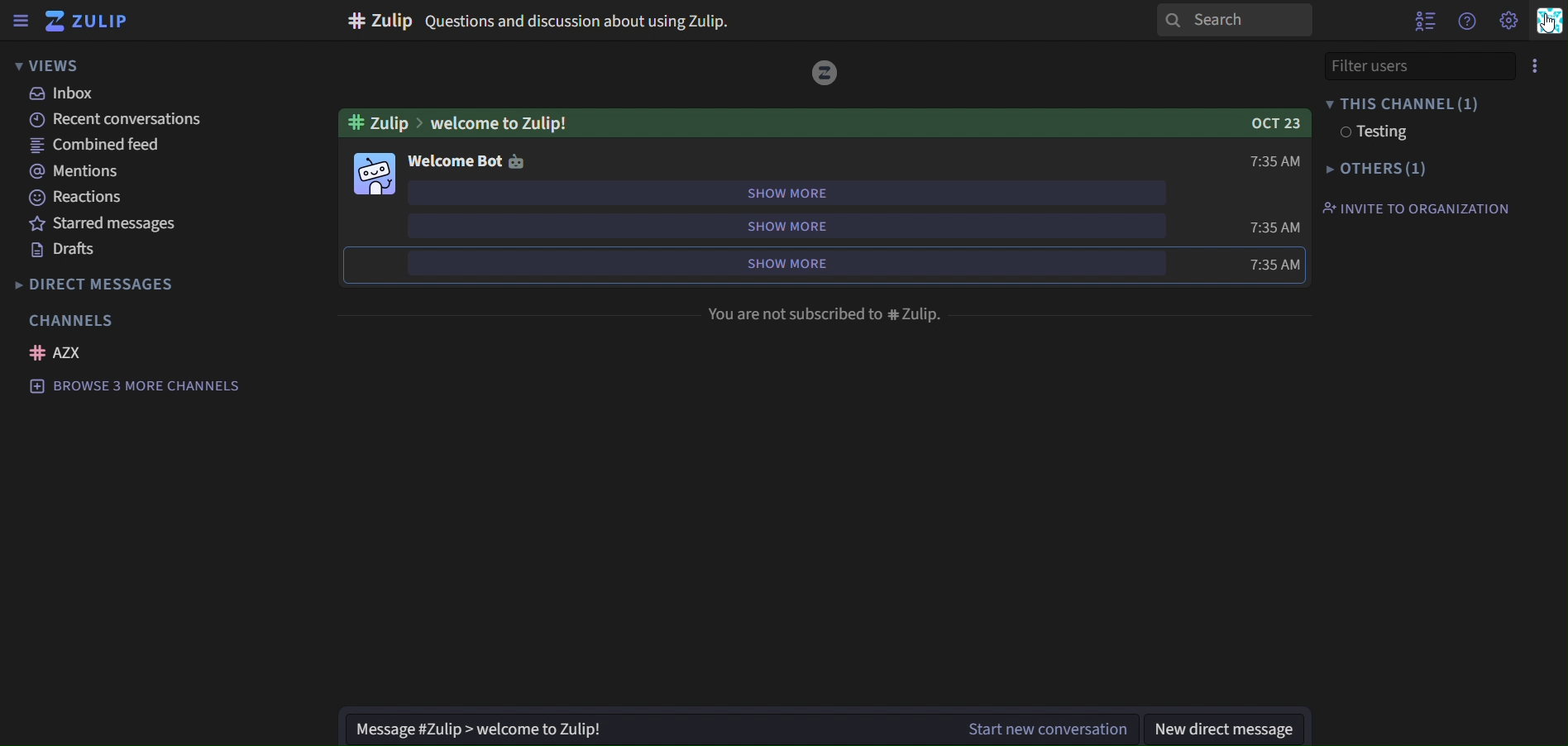  Describe the element at coordinates (489, 728) in the screenshot. I see `Message#Zulip> welcome to Zulip` at that location.